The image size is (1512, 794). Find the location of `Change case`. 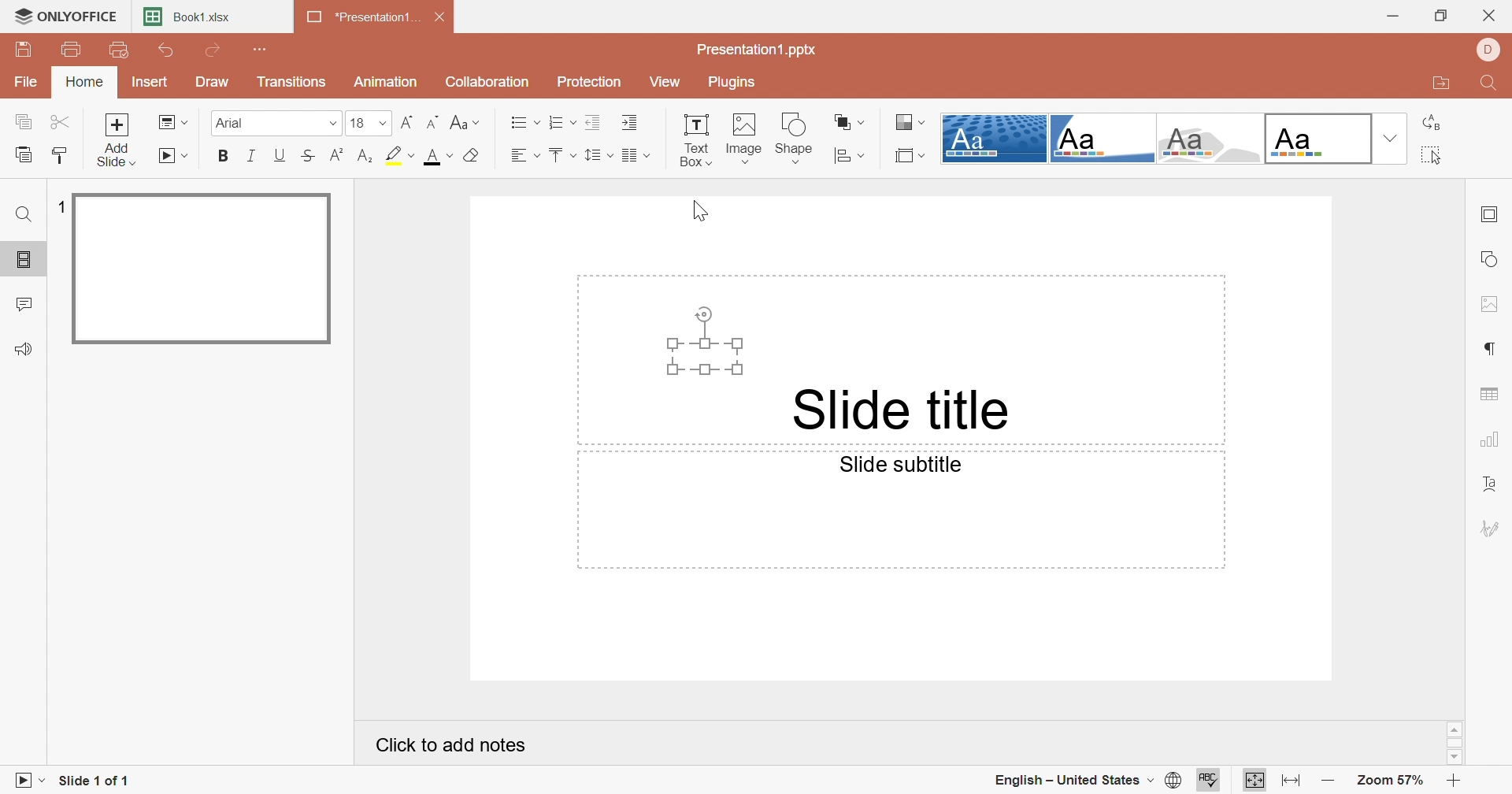

Change case is located at coordinates (464, 123).